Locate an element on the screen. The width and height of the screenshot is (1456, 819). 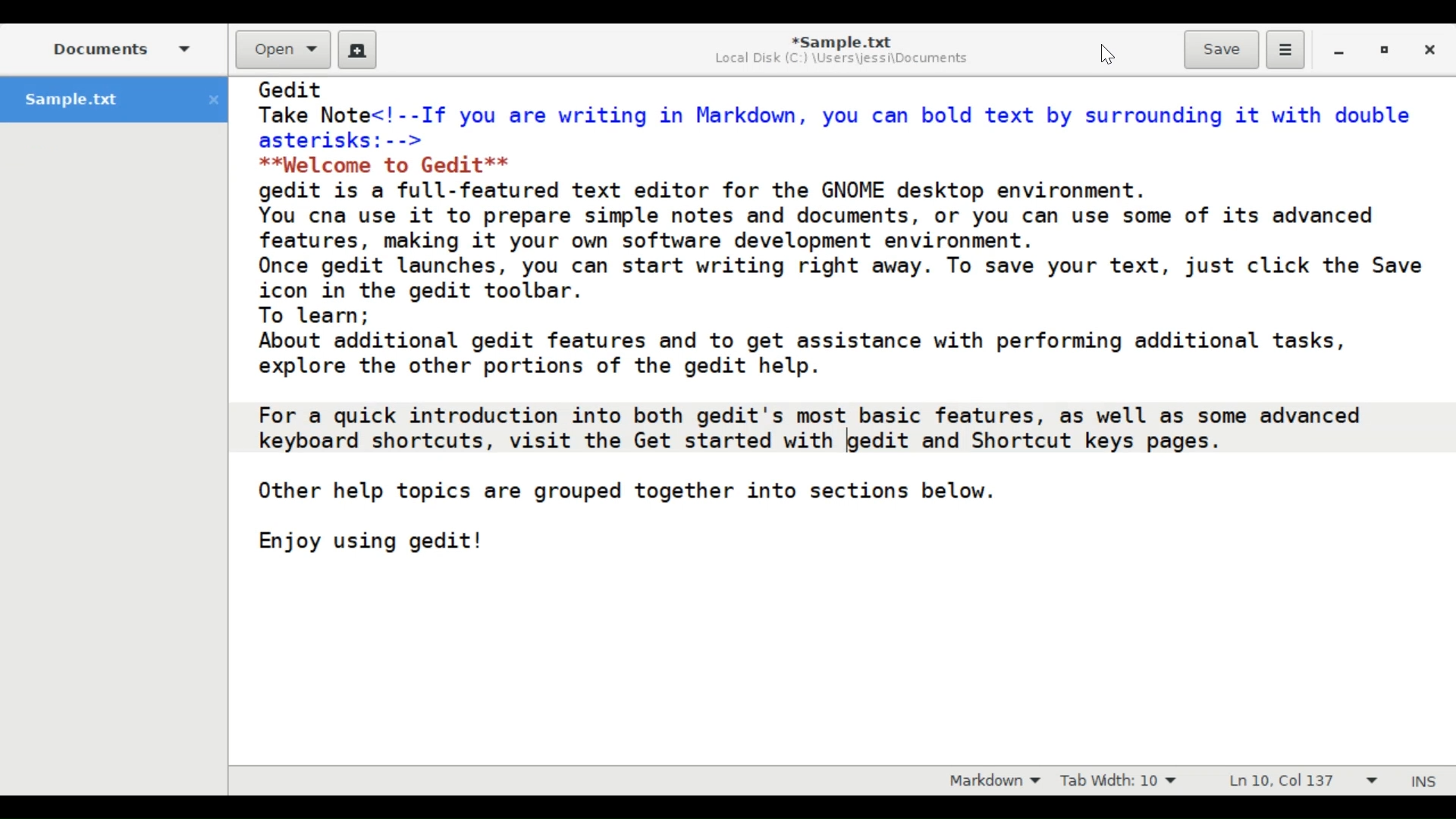
Tab Width: 10 is located at coordinates (1116, 780).